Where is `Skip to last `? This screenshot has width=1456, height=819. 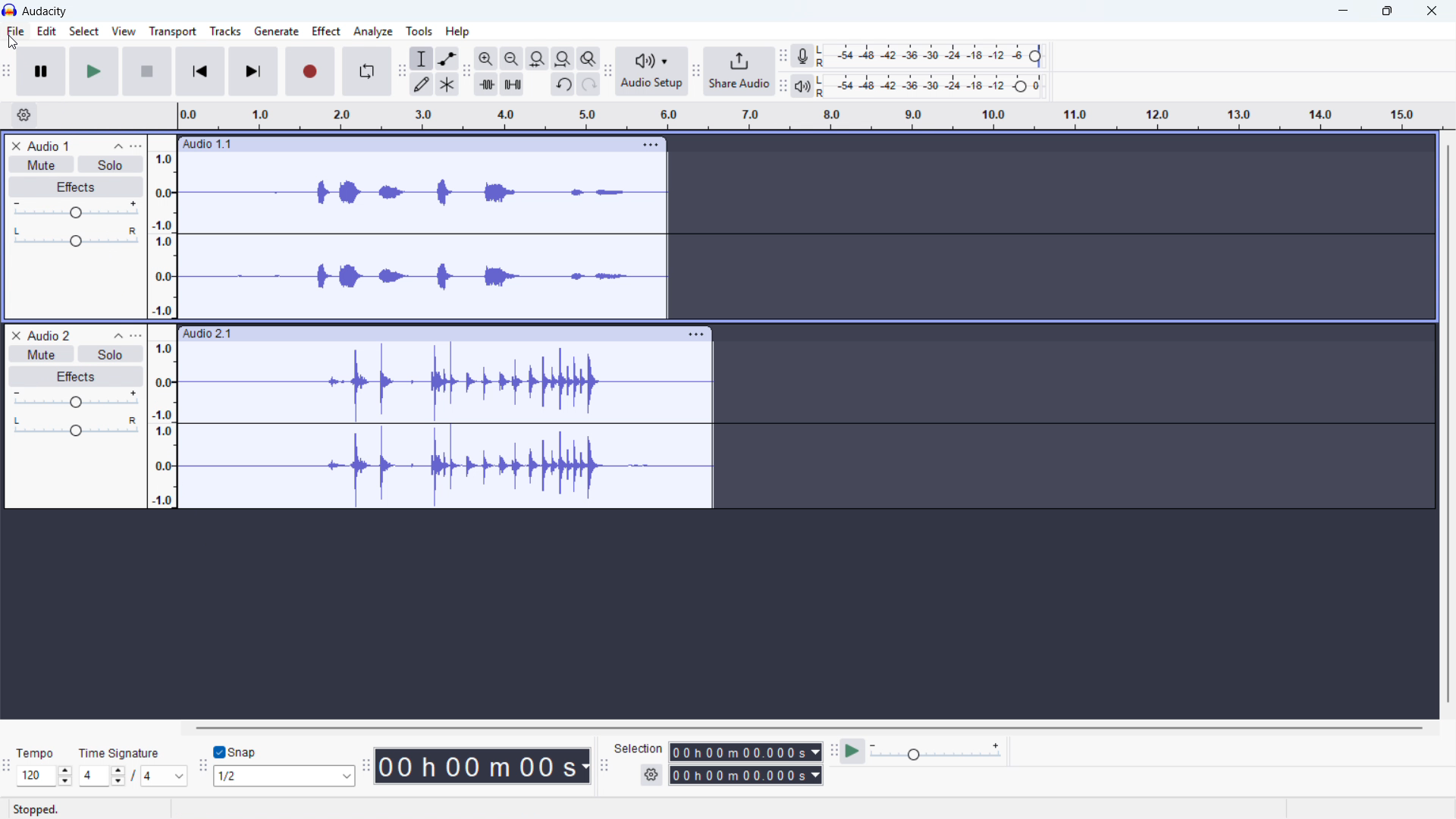 Skip to last  is located at coordinates (254, 71).